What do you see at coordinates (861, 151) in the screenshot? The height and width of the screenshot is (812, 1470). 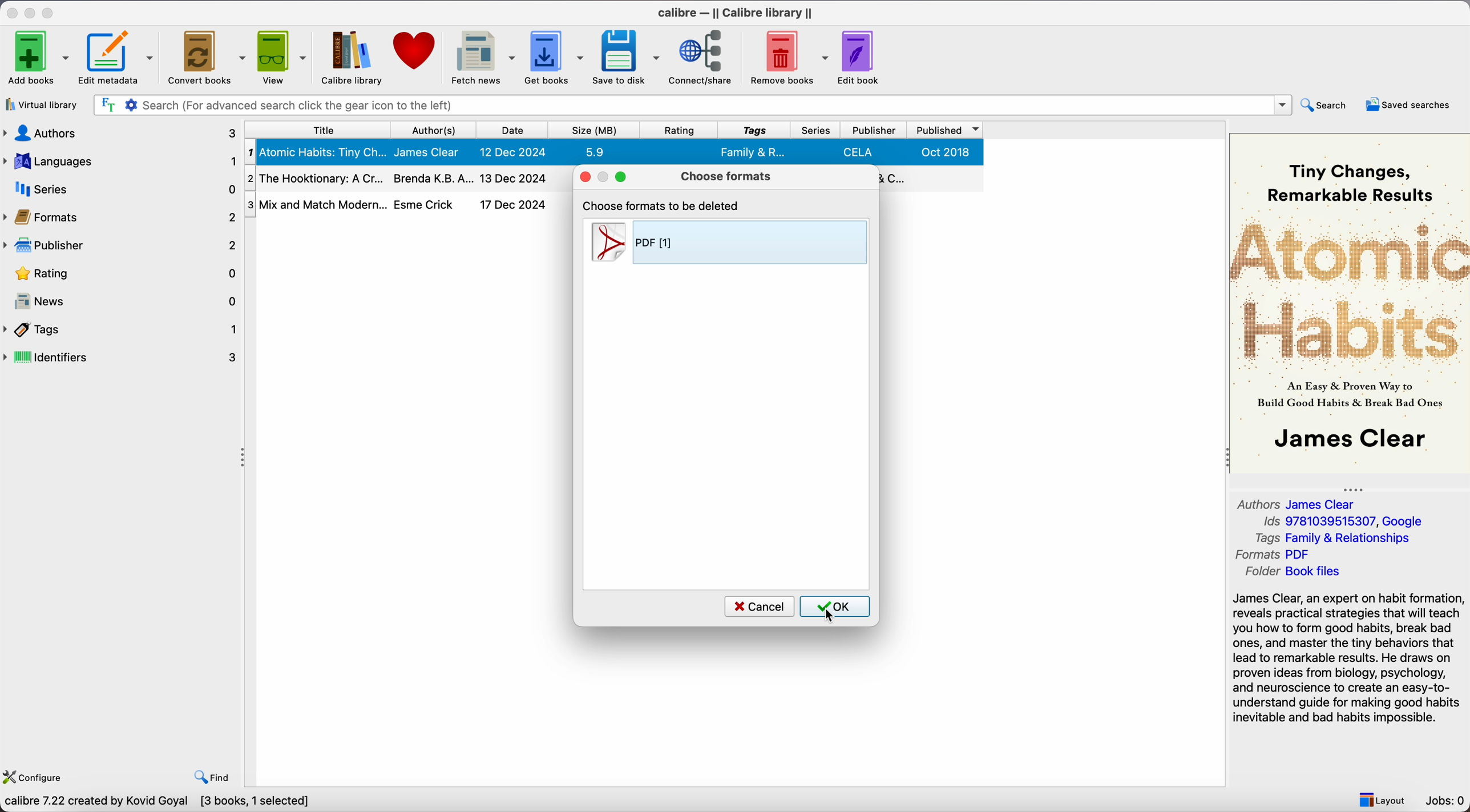 I see `CELA` at bounding box center [861, 151].